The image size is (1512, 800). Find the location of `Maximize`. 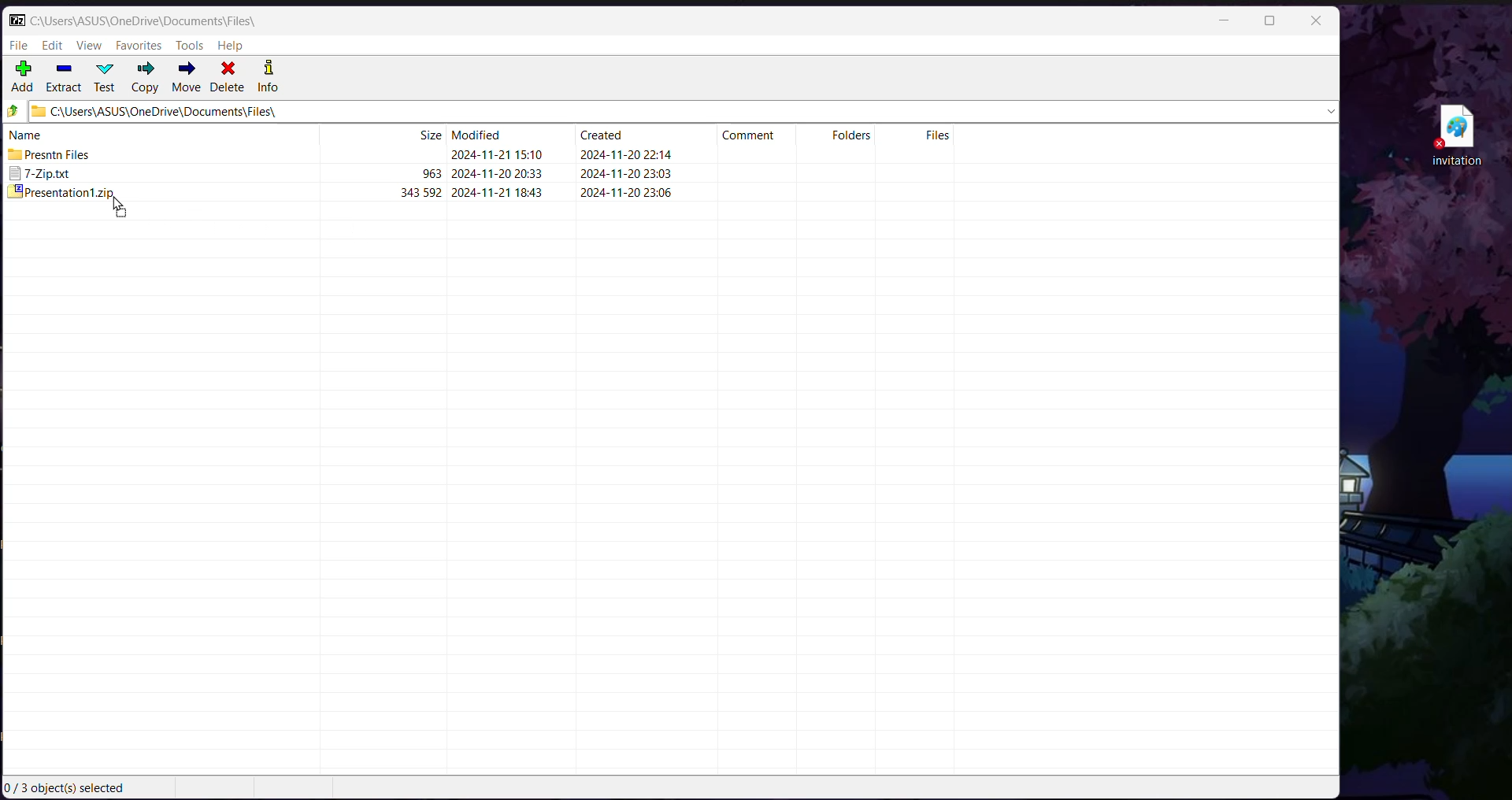

Maximize is located at coordinates (1269, 22).